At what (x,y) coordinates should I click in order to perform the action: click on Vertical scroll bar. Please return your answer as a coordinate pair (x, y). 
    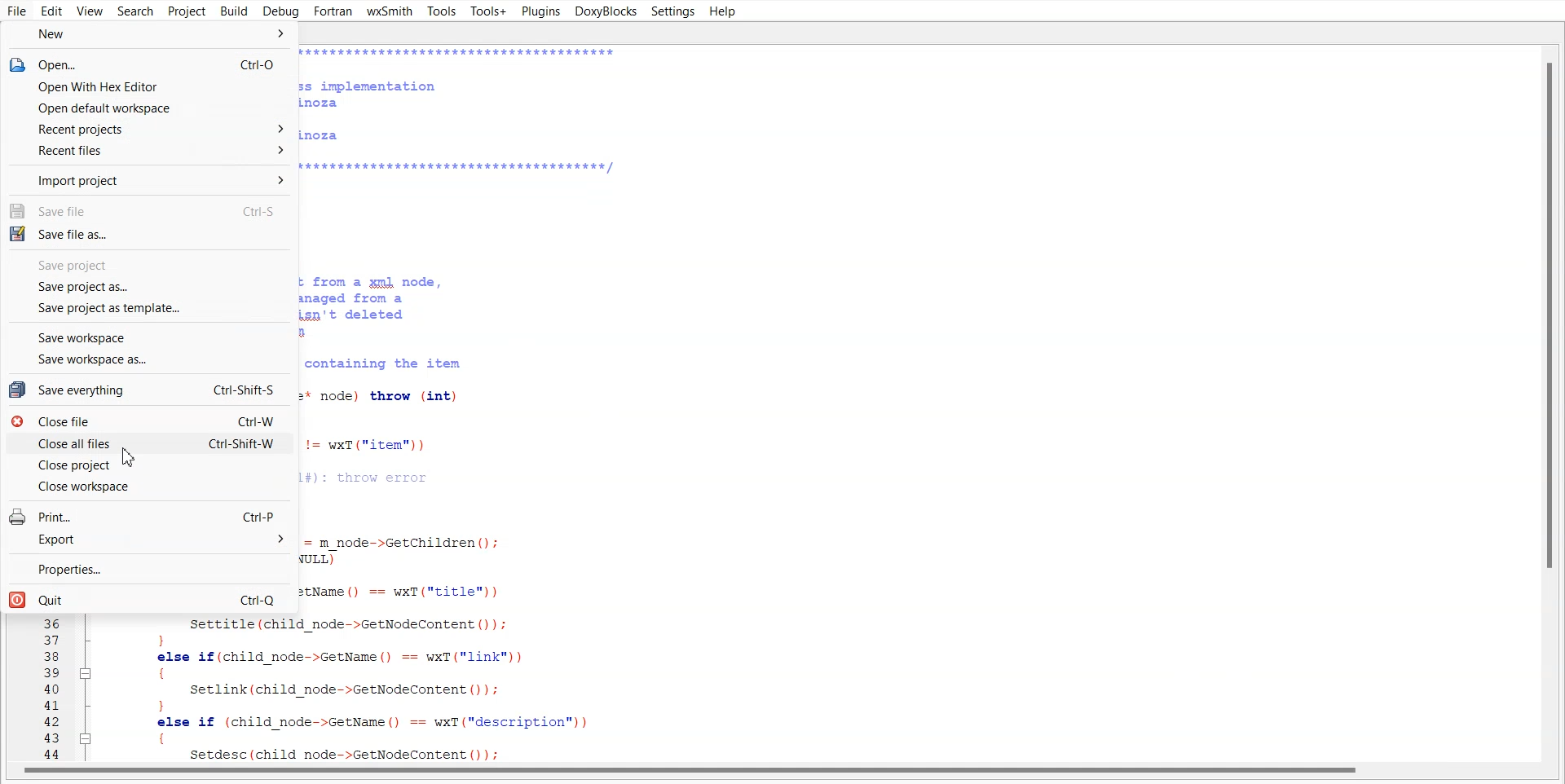
    Looking at the image, I should click on (1544, 400).